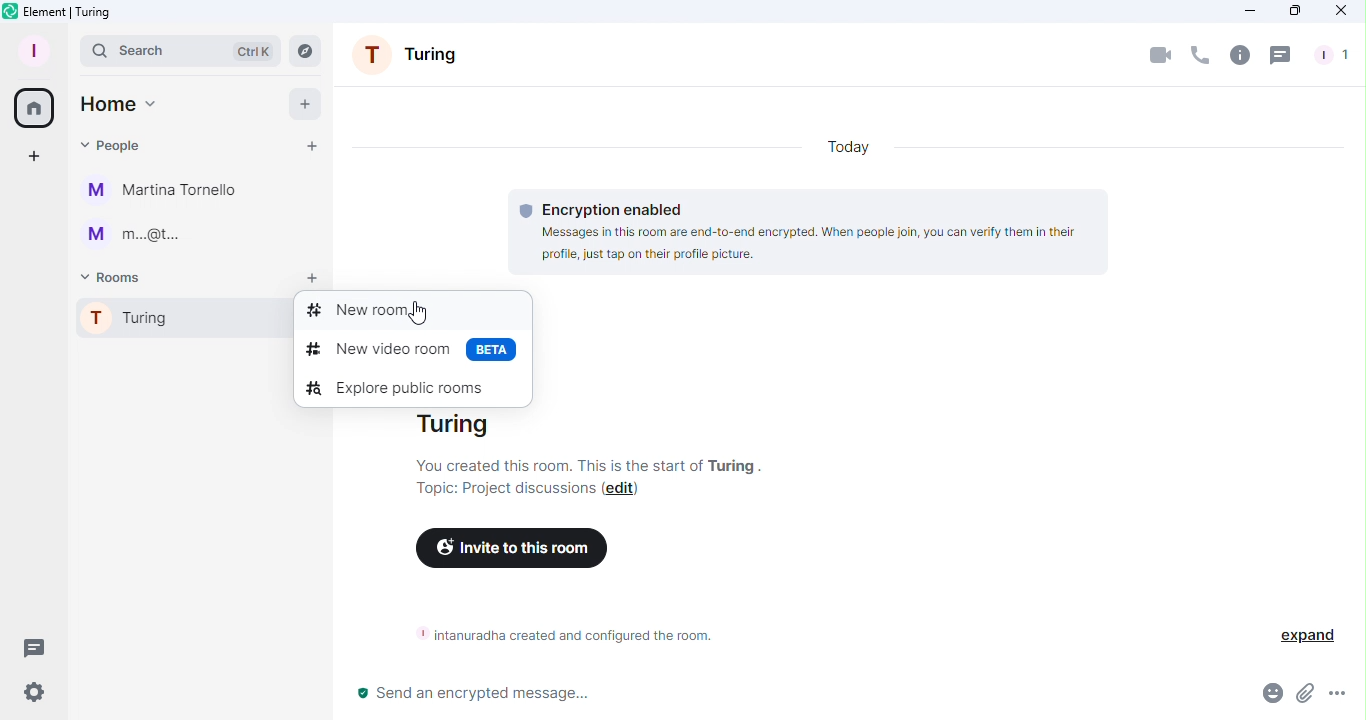  What do you see at coordinates (1329, 55) in the screenshot?
I see `People` at bounding box center [1329, 55].